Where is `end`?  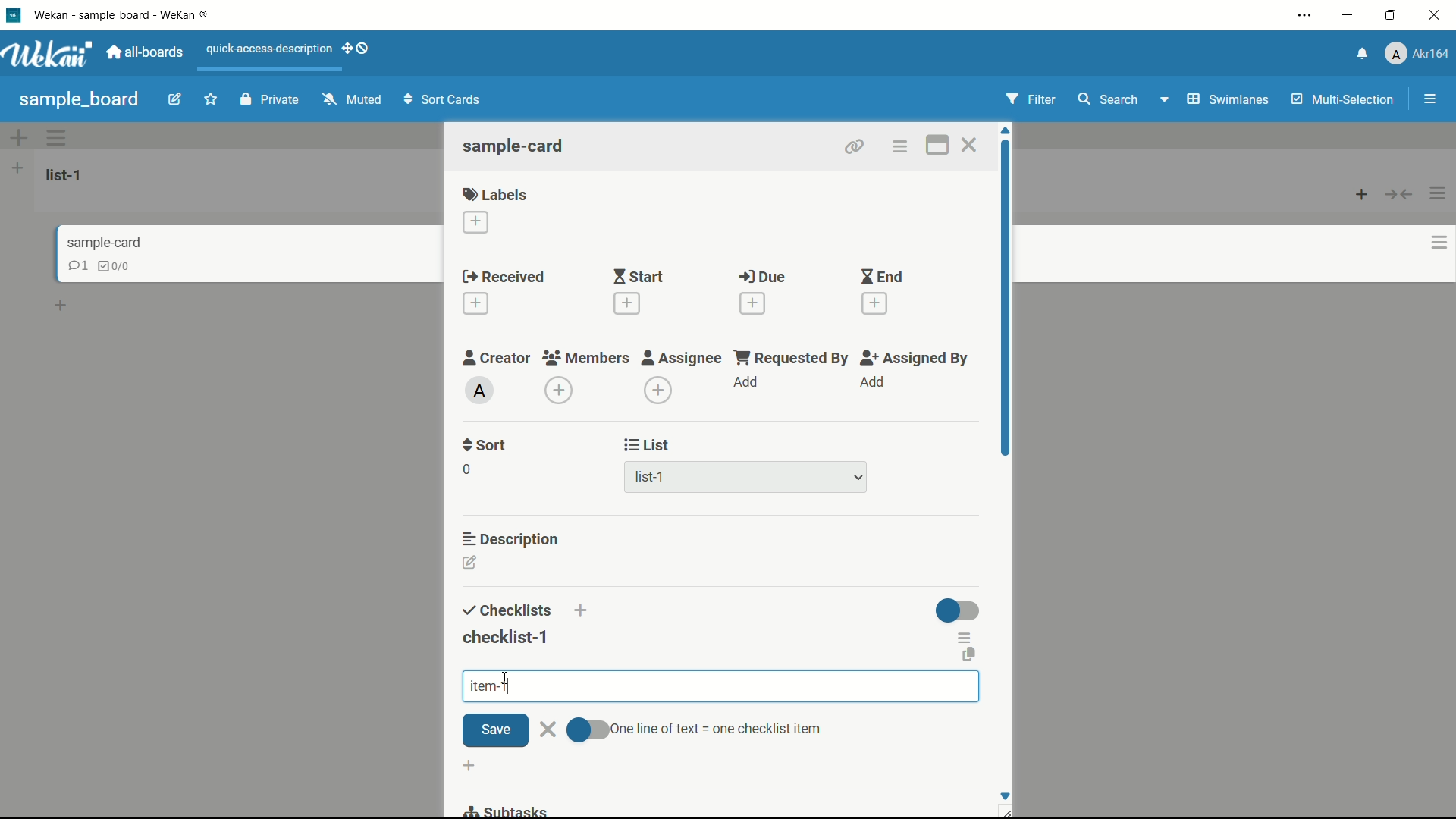 end is located at coordinates (882, 277).